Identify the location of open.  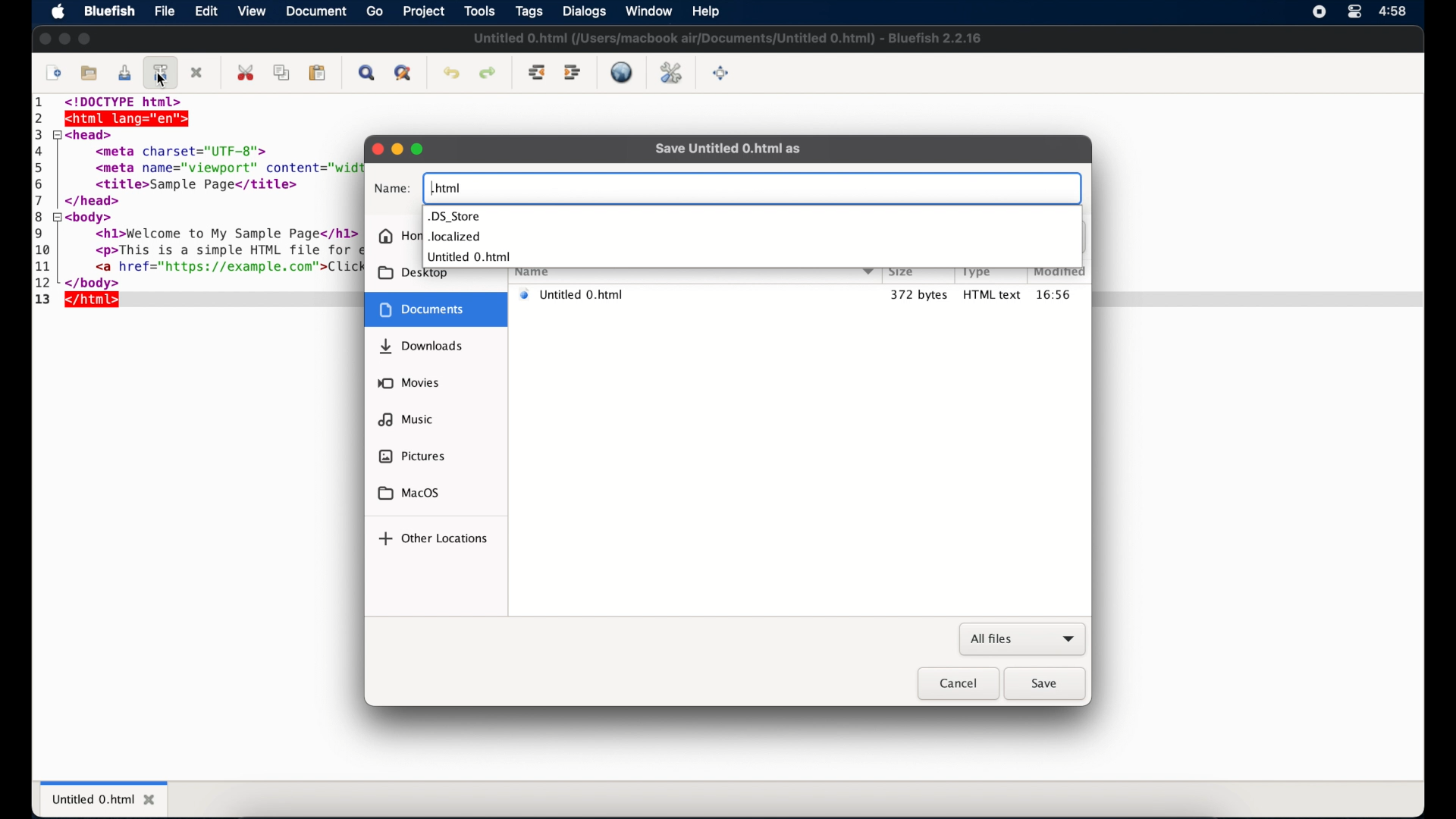
(90, 74).